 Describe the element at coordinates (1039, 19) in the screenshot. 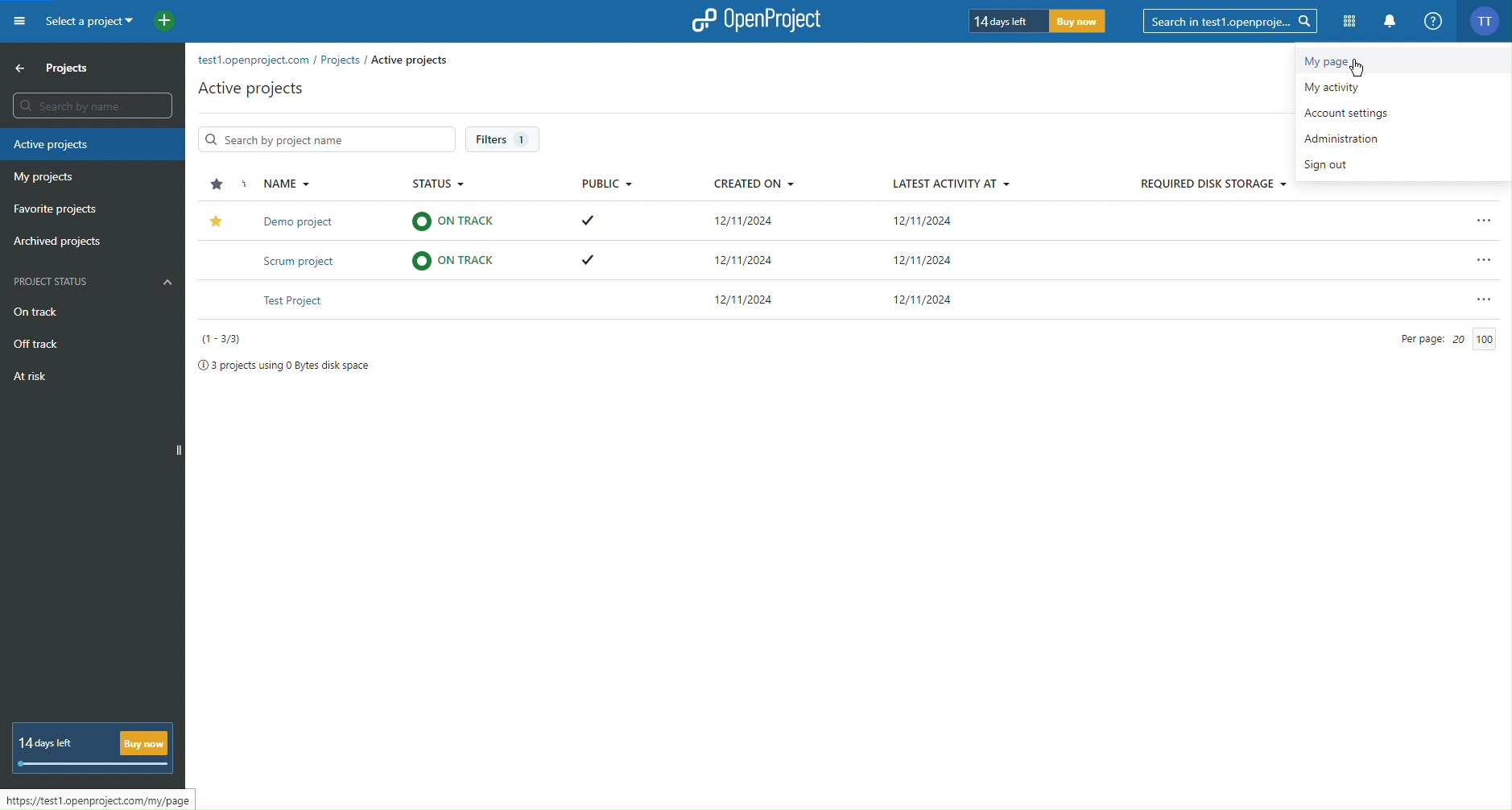

I see `Trial Timer` at that location.